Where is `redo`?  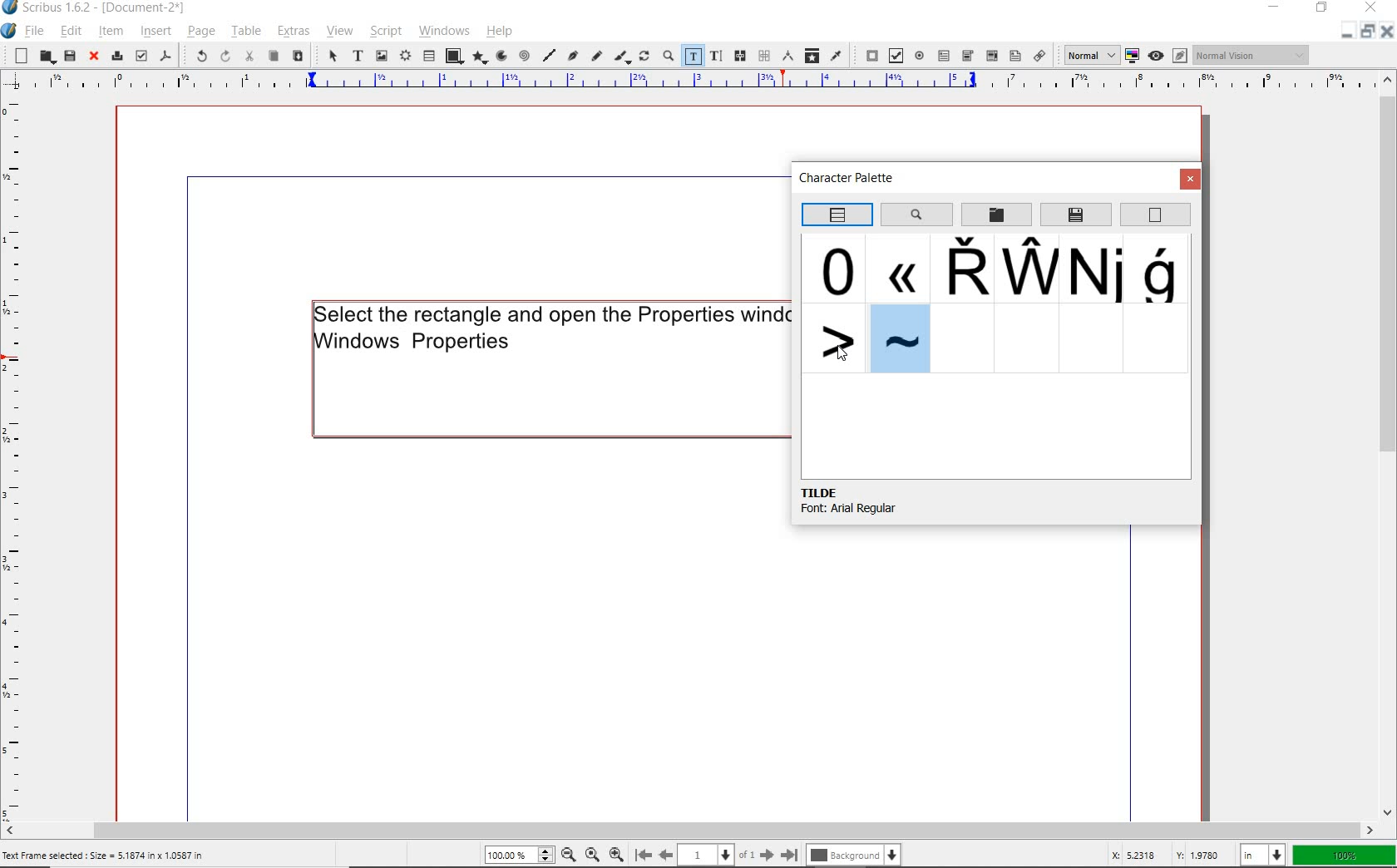
redo is located at coordinates (224, 57).